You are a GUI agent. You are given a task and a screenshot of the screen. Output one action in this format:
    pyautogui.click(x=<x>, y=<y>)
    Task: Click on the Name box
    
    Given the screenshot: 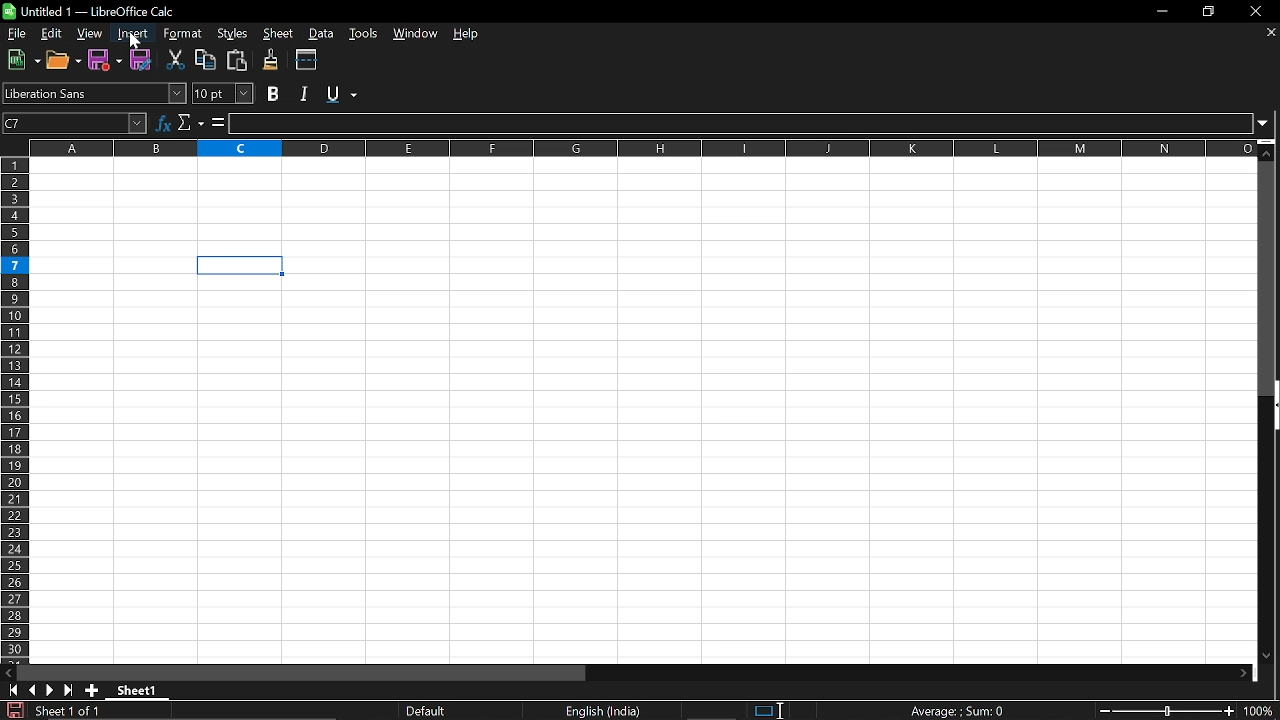 What is the action you would take?
    pyautogui.click(x=75, y=122)
    